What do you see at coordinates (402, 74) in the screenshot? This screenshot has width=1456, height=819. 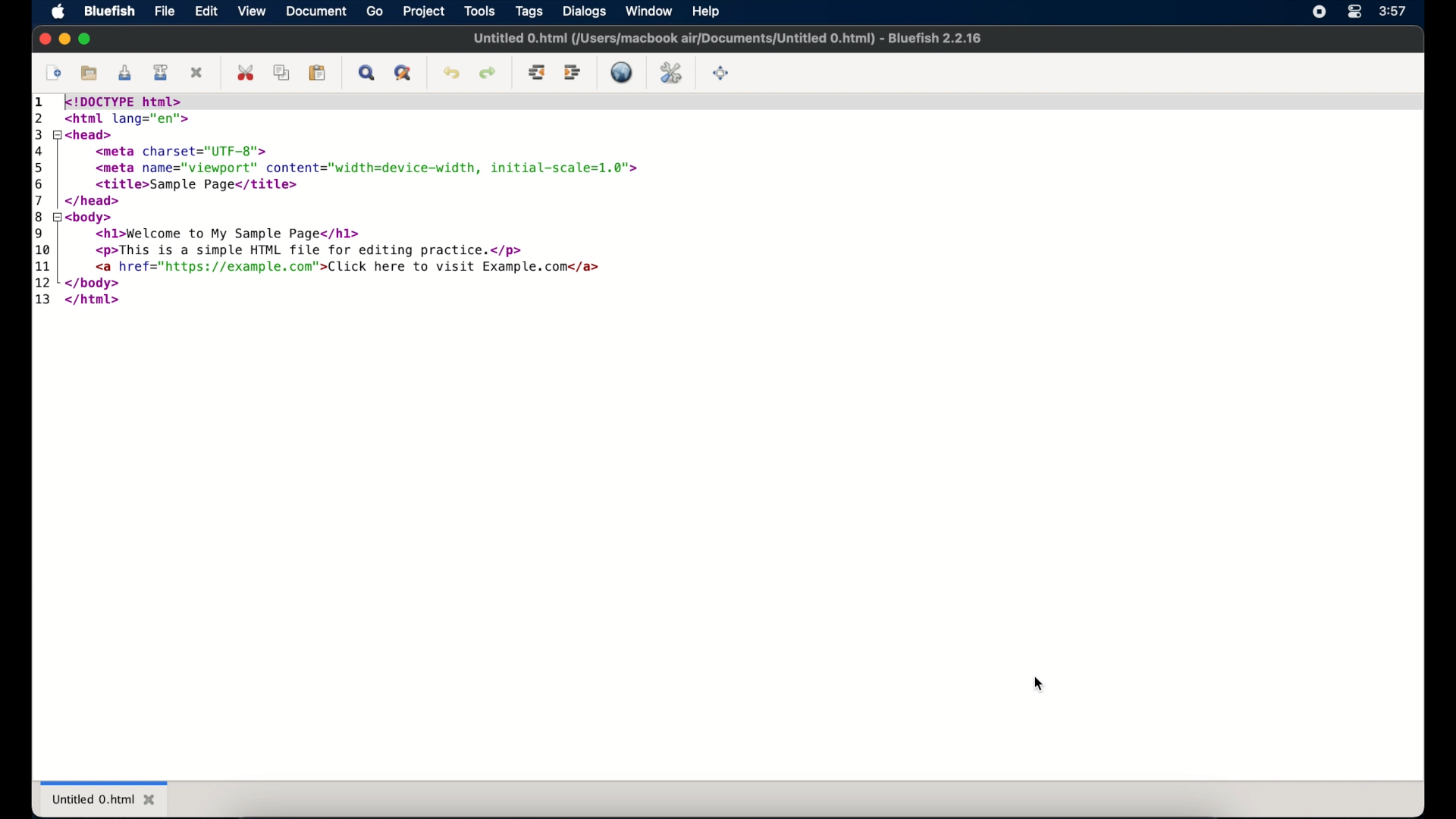 I see `advanced find and replace` at bounding box center [402, 74].